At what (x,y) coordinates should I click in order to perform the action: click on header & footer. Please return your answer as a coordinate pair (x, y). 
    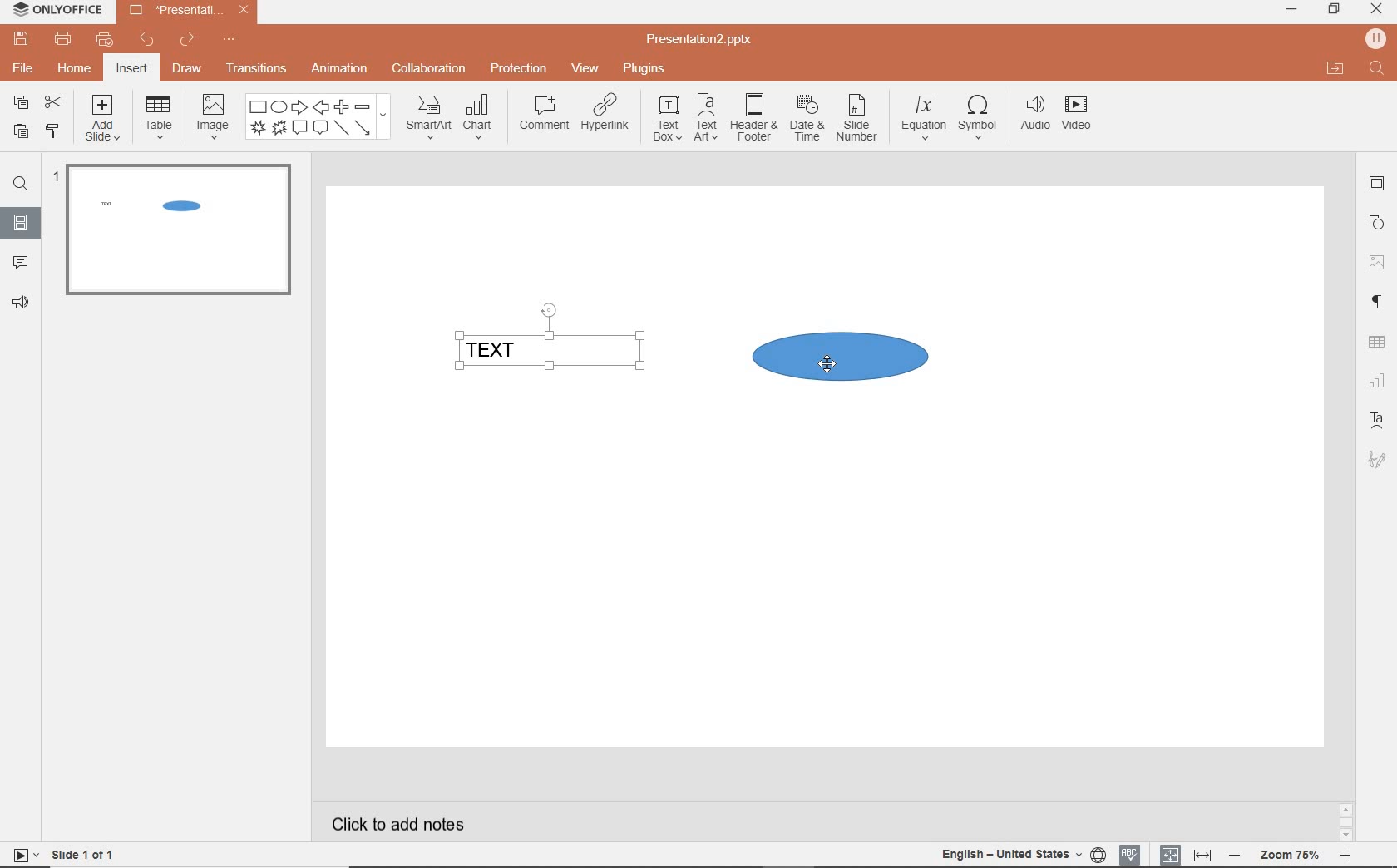
    Looking at the image, I should click on (752, 119).